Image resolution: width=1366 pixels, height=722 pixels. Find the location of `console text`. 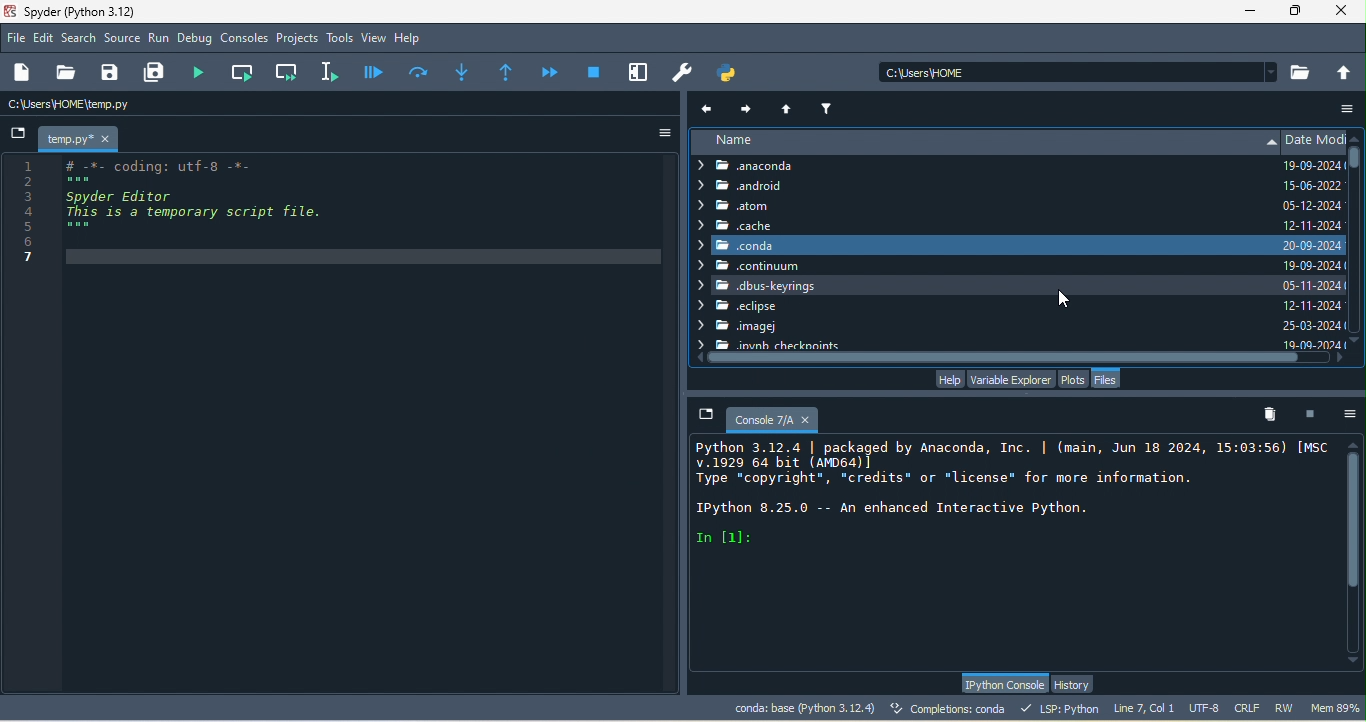

console text is located at coordinates (1008, 495).